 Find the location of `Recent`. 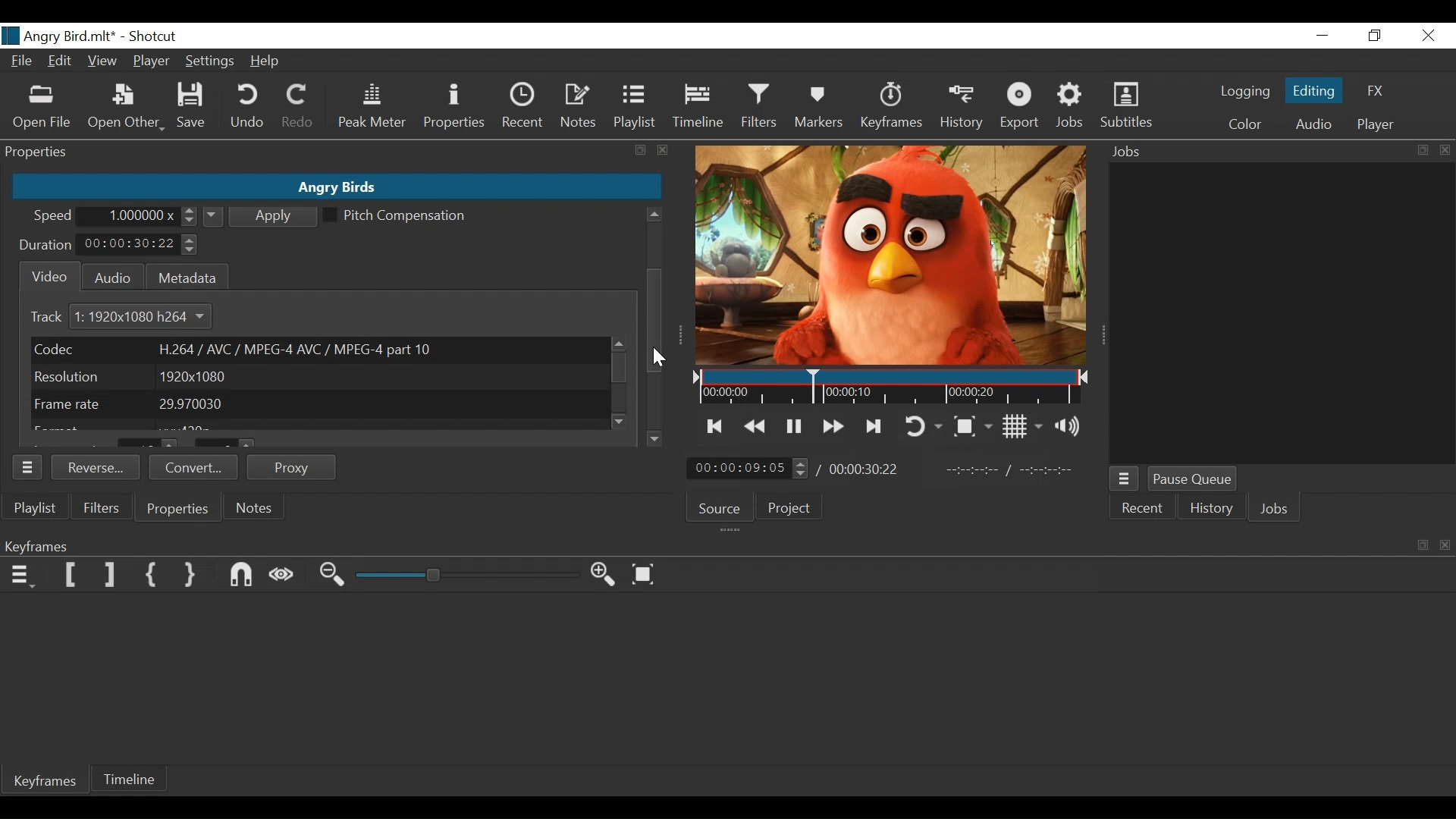

Recent is located at coordinates (521, 107).